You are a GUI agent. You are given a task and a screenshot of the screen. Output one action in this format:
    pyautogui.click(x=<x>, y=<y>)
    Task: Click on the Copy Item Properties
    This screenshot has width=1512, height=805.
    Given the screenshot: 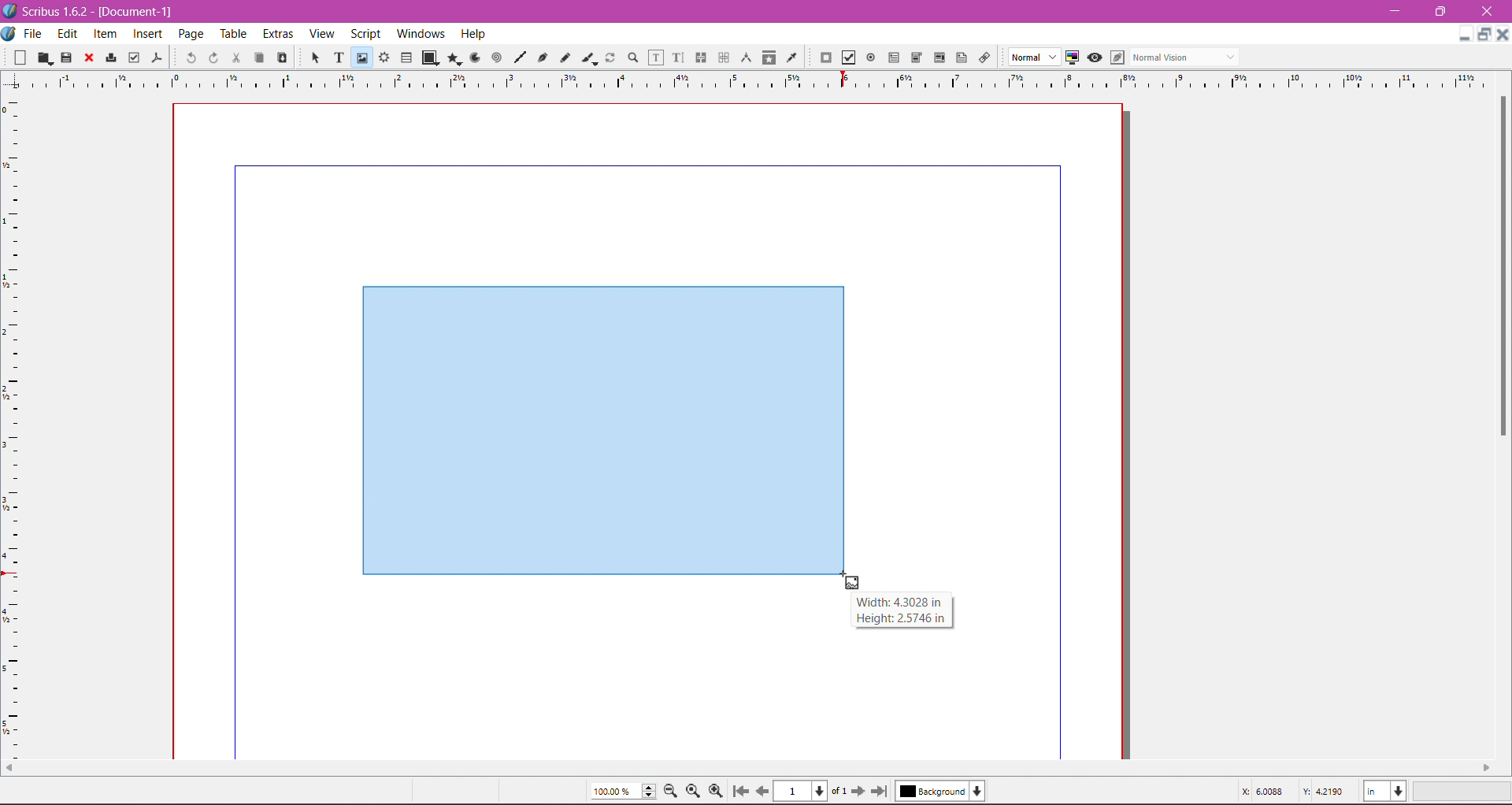 What is the action you would take?
    pyautogui.click(x=769, y=57)
    